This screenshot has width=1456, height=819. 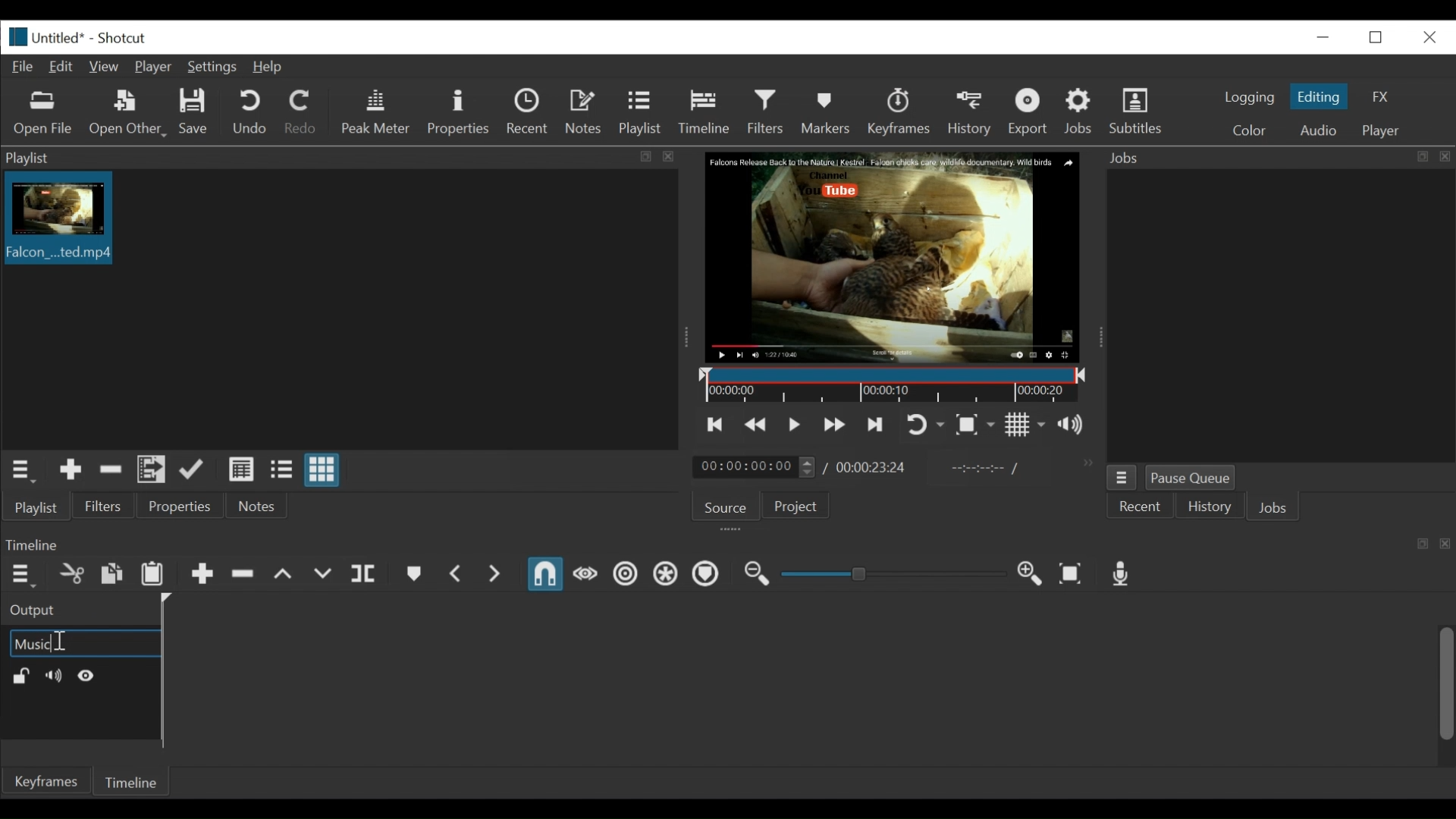 What do you see at coordinates (1373, 36) in the screenshot?
I see `Restore` at bounding box center [1373, 36].